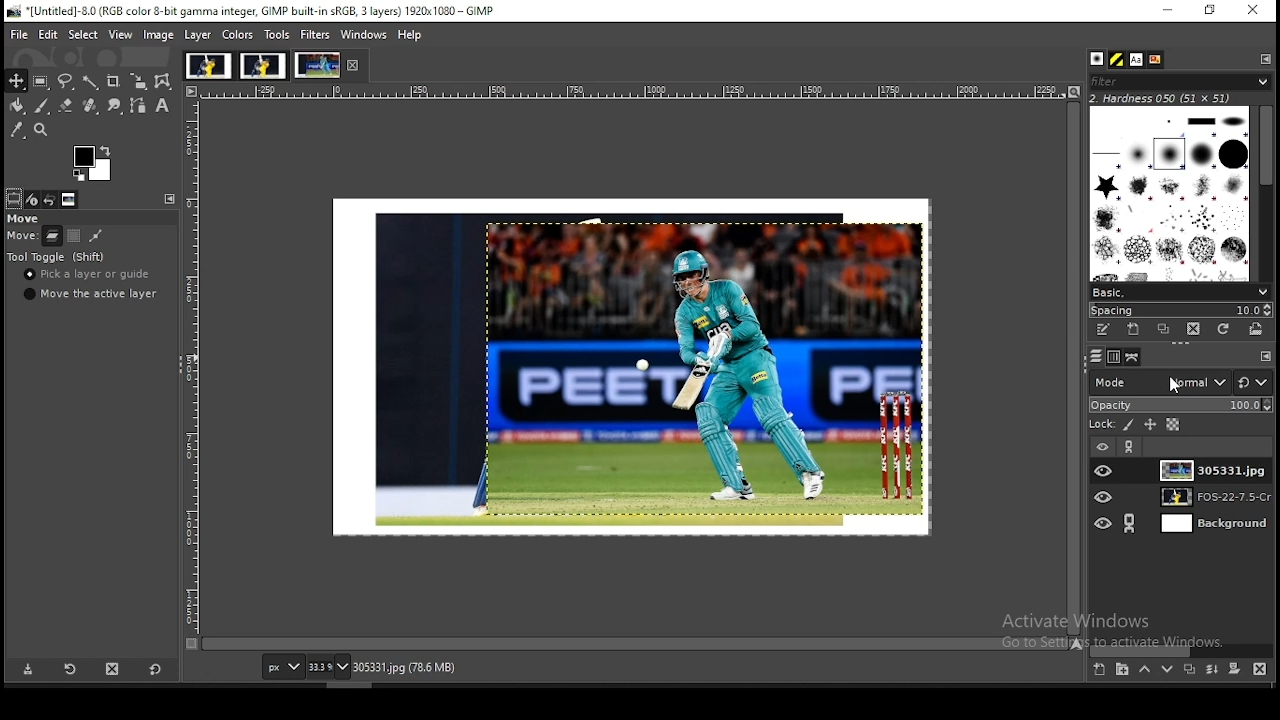 Image resolution: width=1280 pixels, height=720 pixels. I want to click on select, so click(84, 35).